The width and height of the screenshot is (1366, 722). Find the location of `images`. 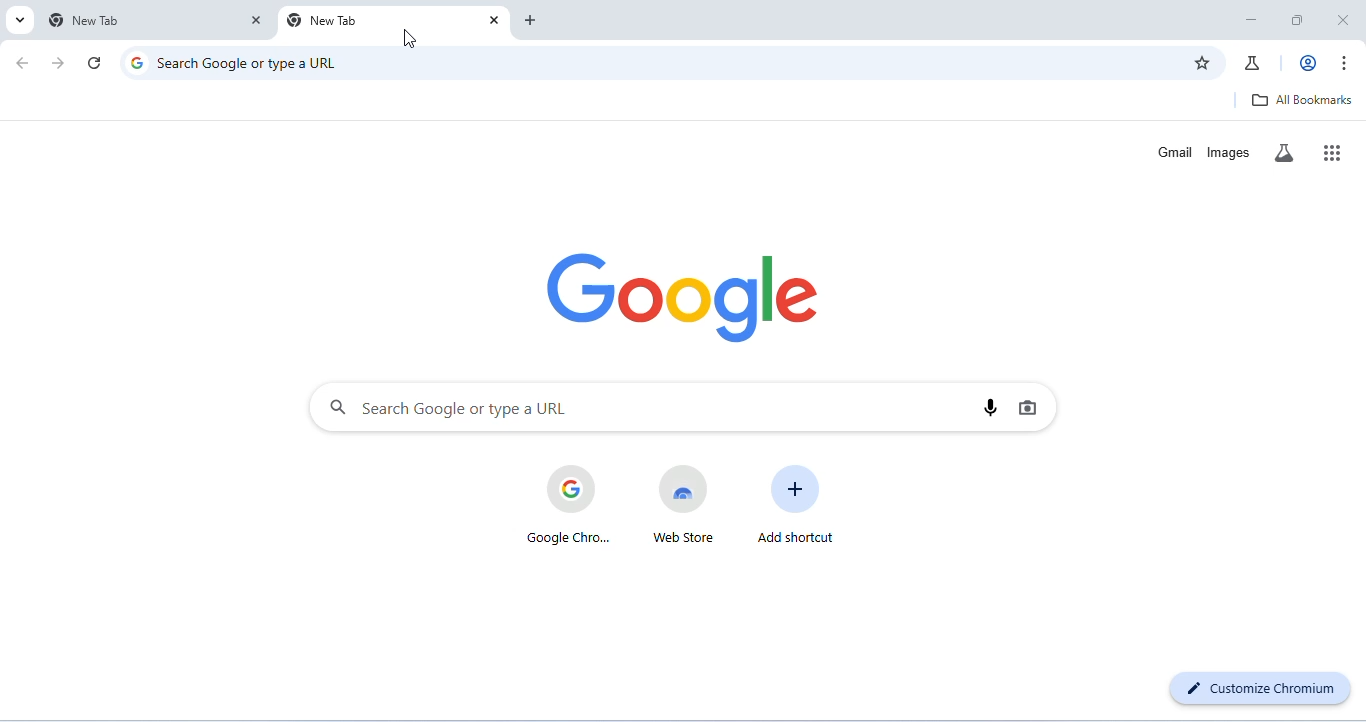

images is located at coordinates (1230, 152).